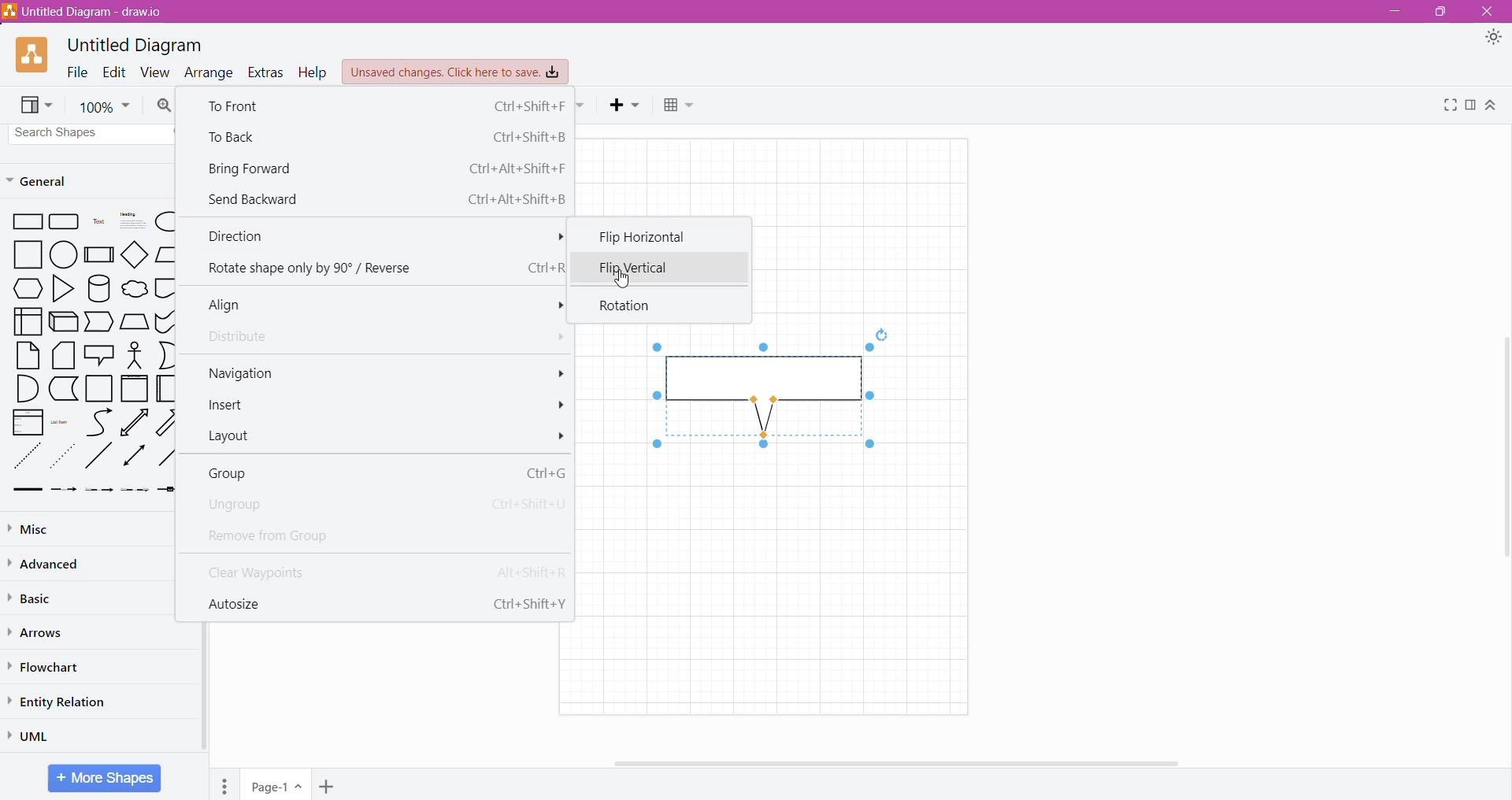 This screenshot has width=1512, height=800. I want to click on reload, so click(880, 332).